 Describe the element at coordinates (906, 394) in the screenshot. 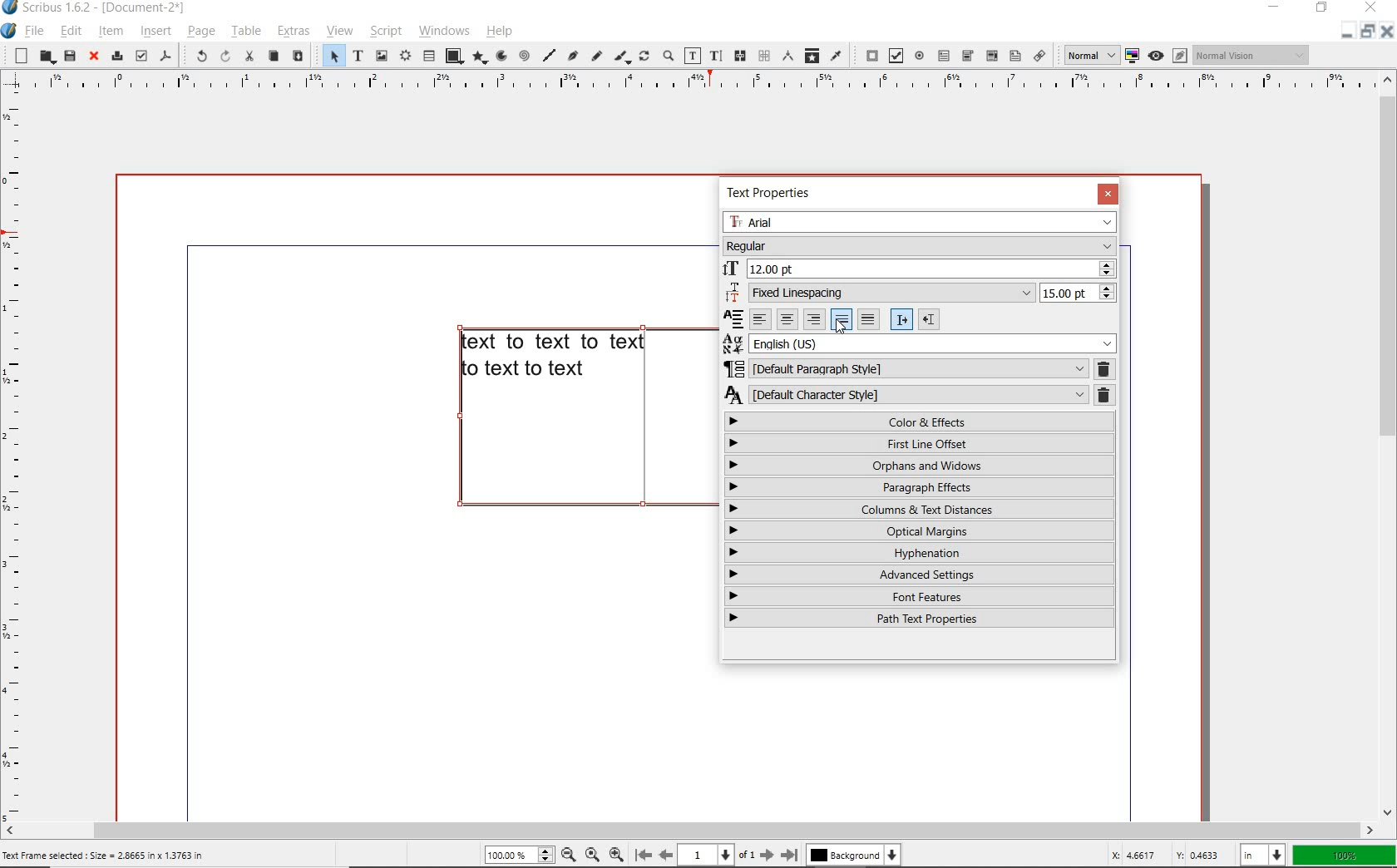

I see `CHARACTER STYLE` at that location.